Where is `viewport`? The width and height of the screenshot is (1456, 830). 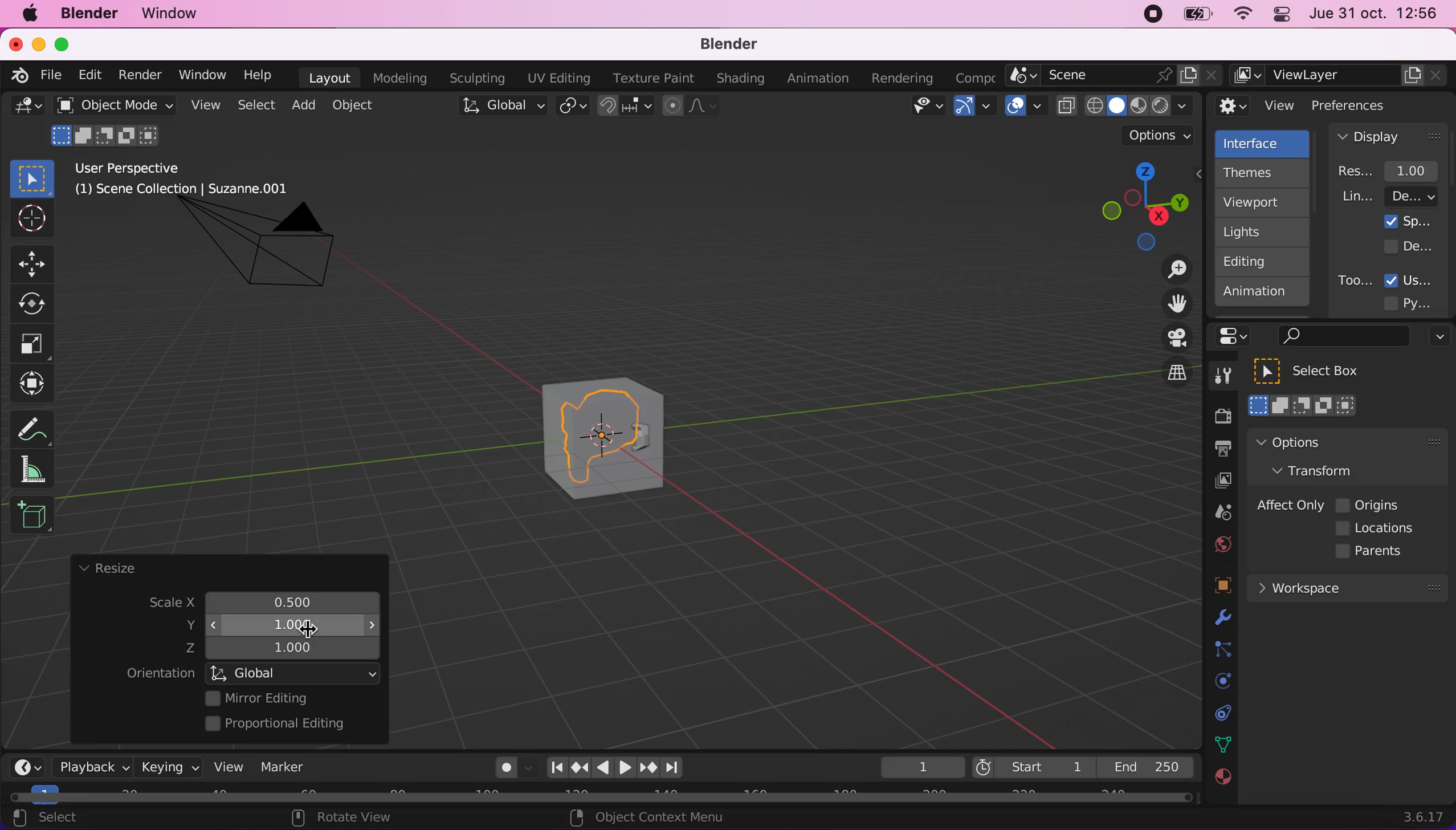
viewport is located at coordinates (1265, 202).